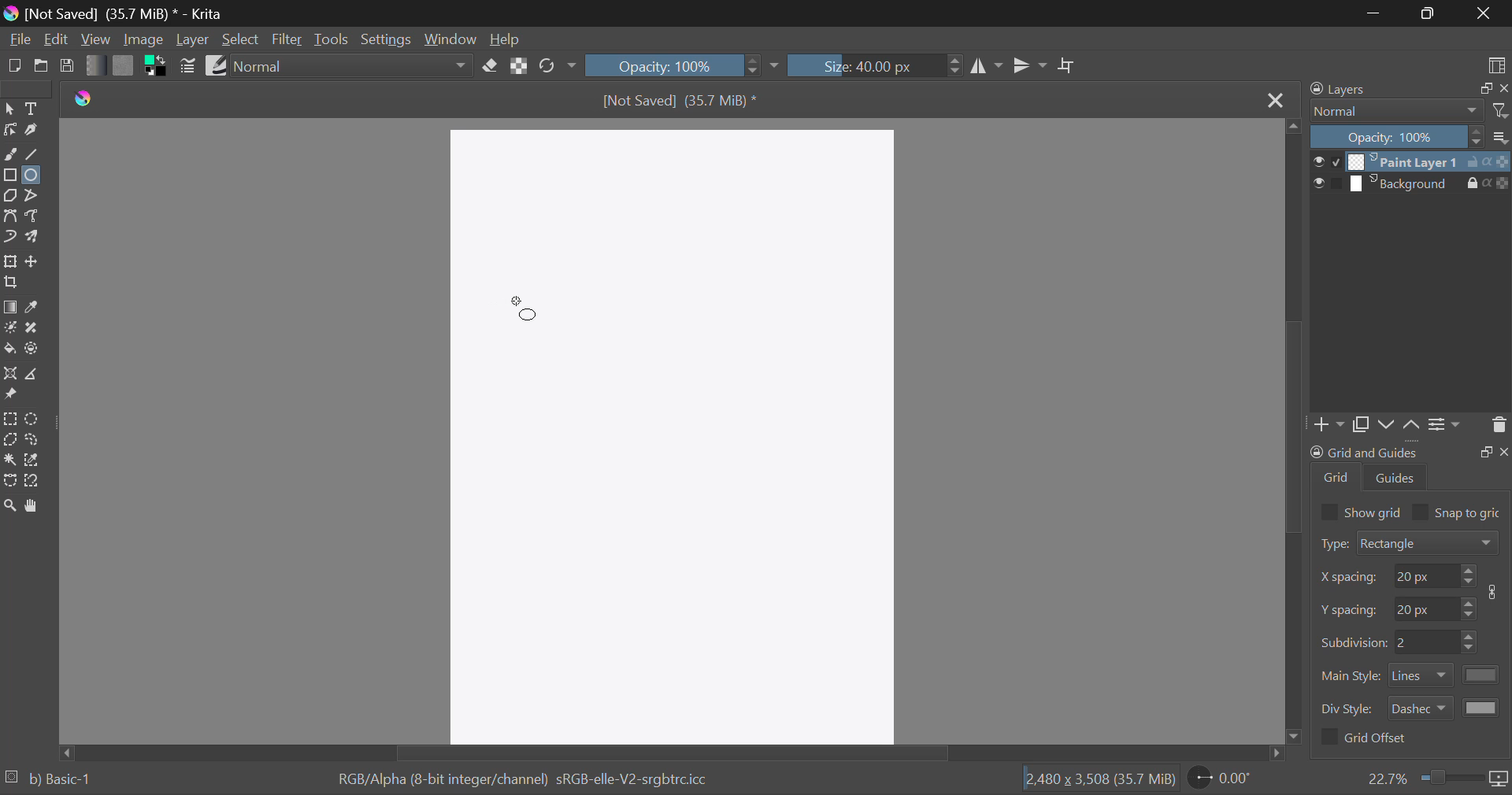  I want to click on Polyline, so click(33, 194).